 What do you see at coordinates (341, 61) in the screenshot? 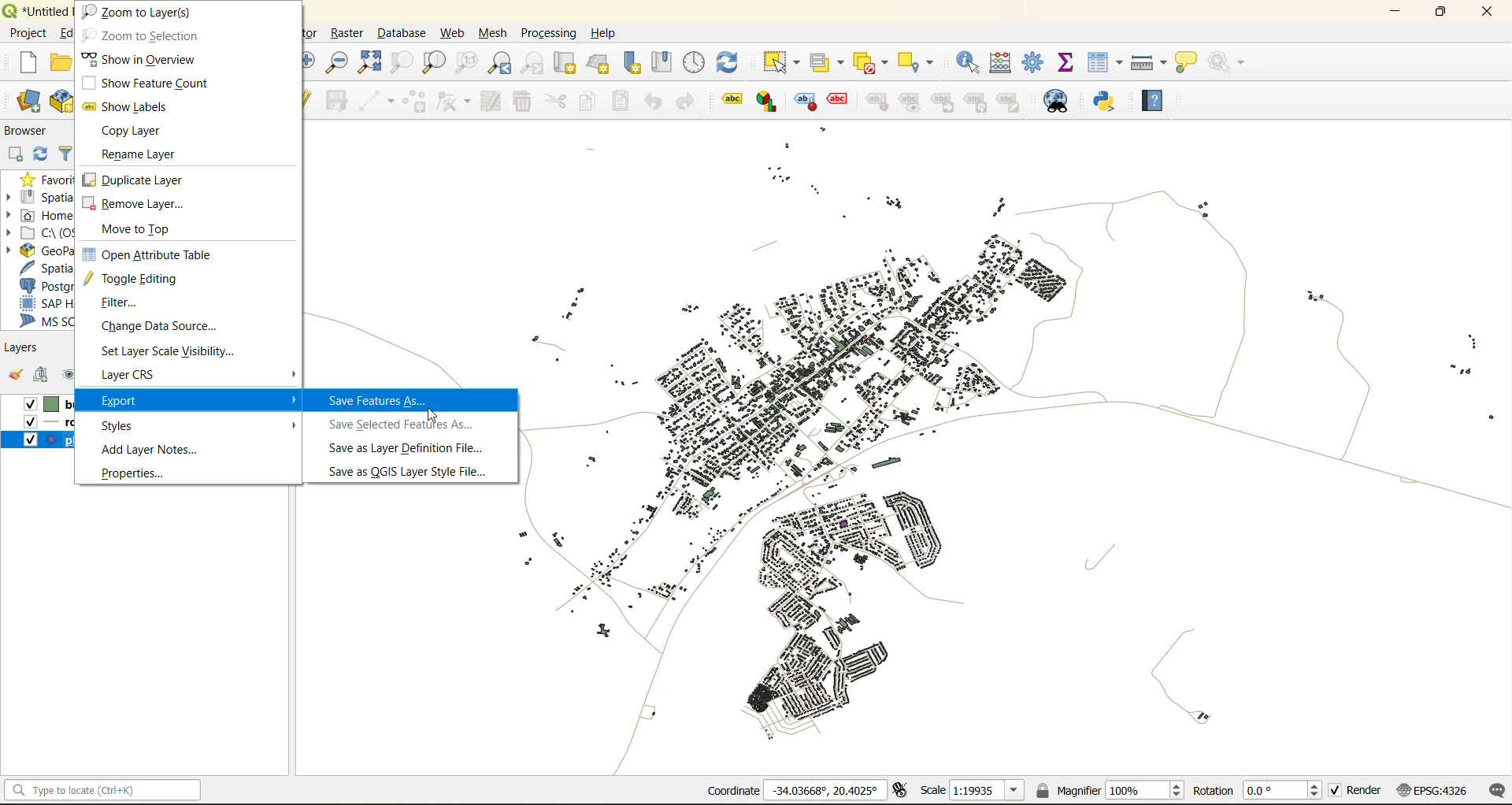
I see `zoom out` at bounding box center [341, 61].